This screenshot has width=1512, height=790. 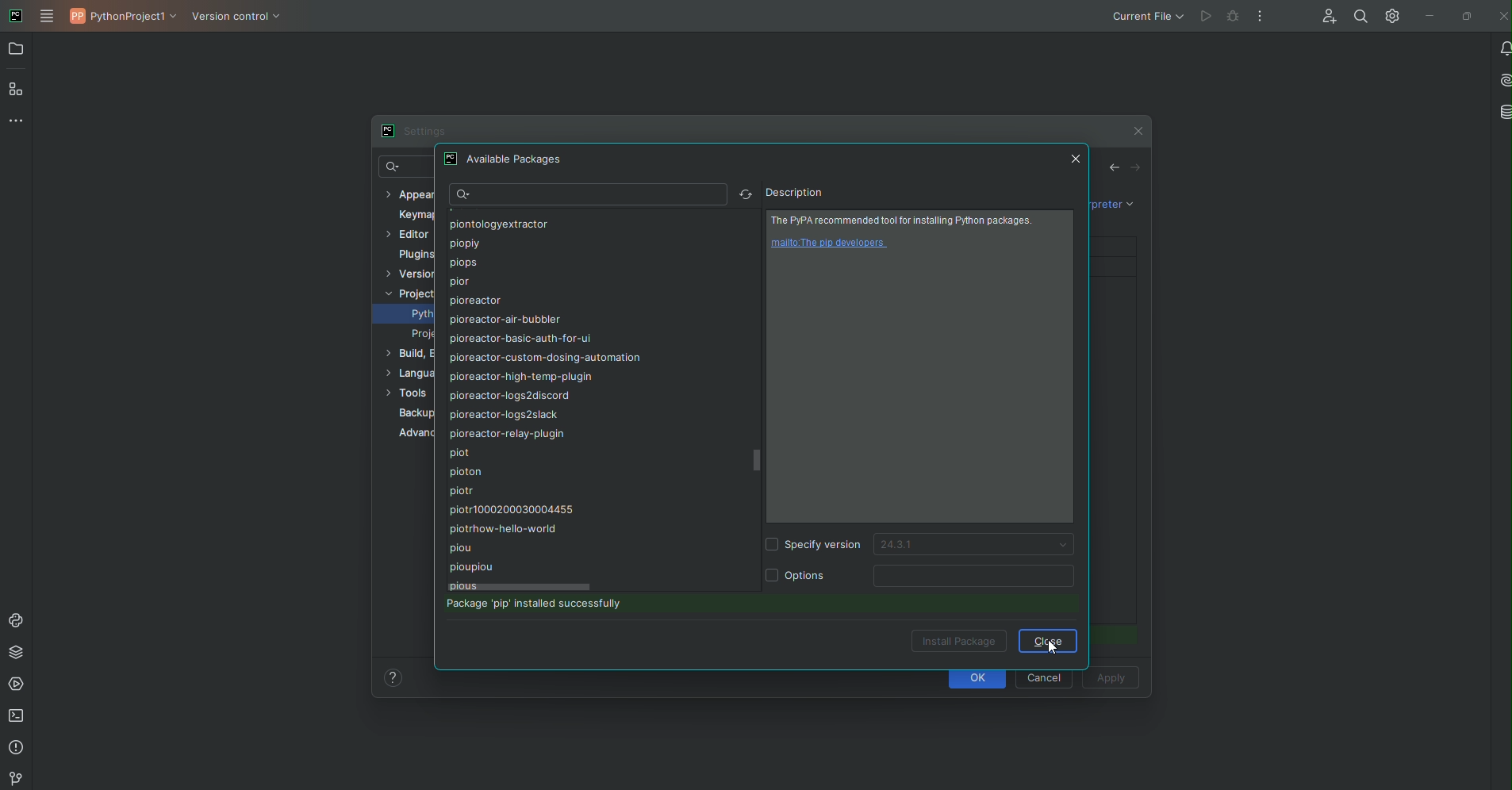 What do you see at coordinates (1049, 641) in the screenshot?
I see `Close` at bounding box center [1049, 641].